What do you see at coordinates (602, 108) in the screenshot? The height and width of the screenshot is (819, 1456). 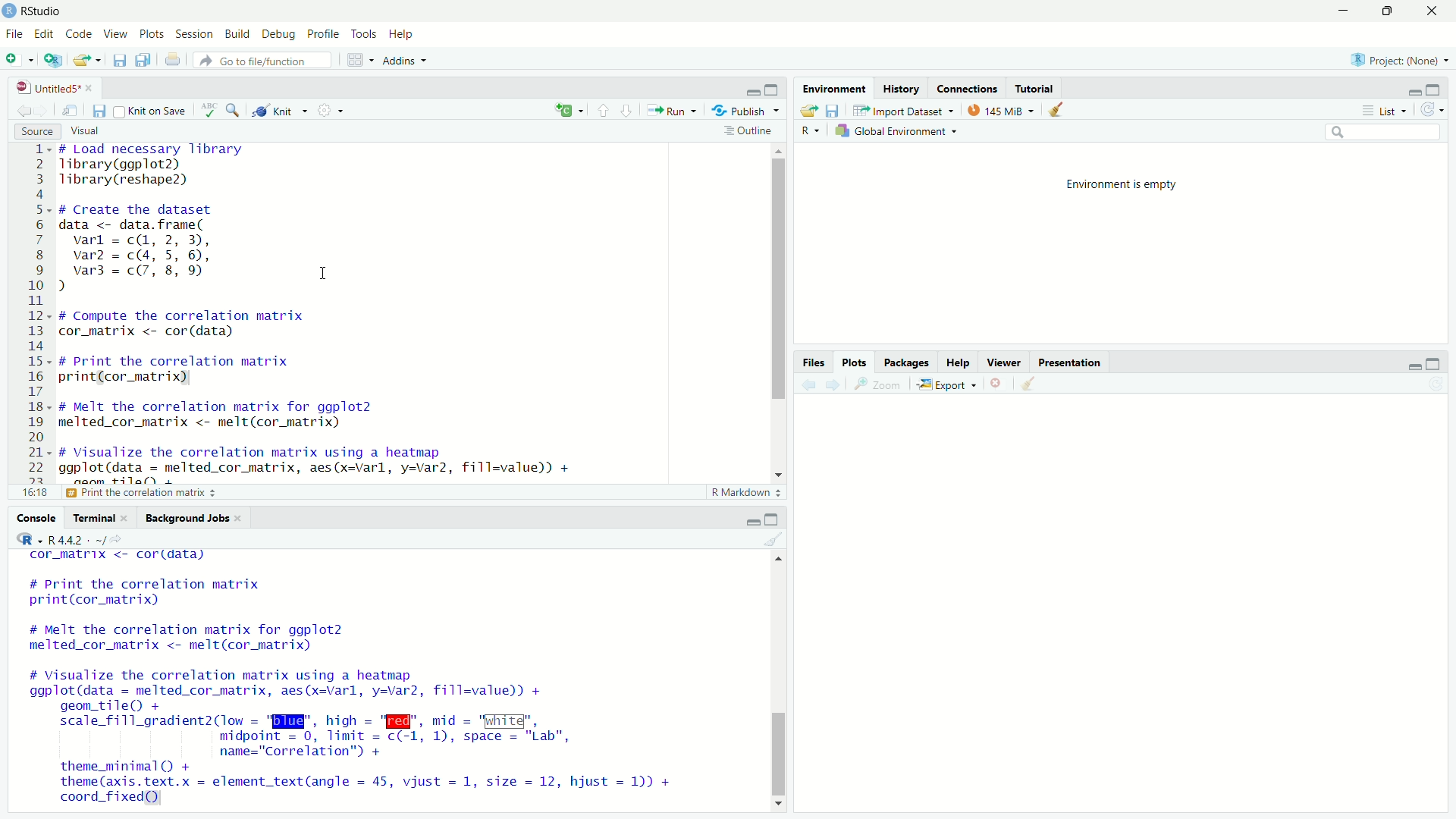 I see `go to previous section` at bounding box center [602, 108].